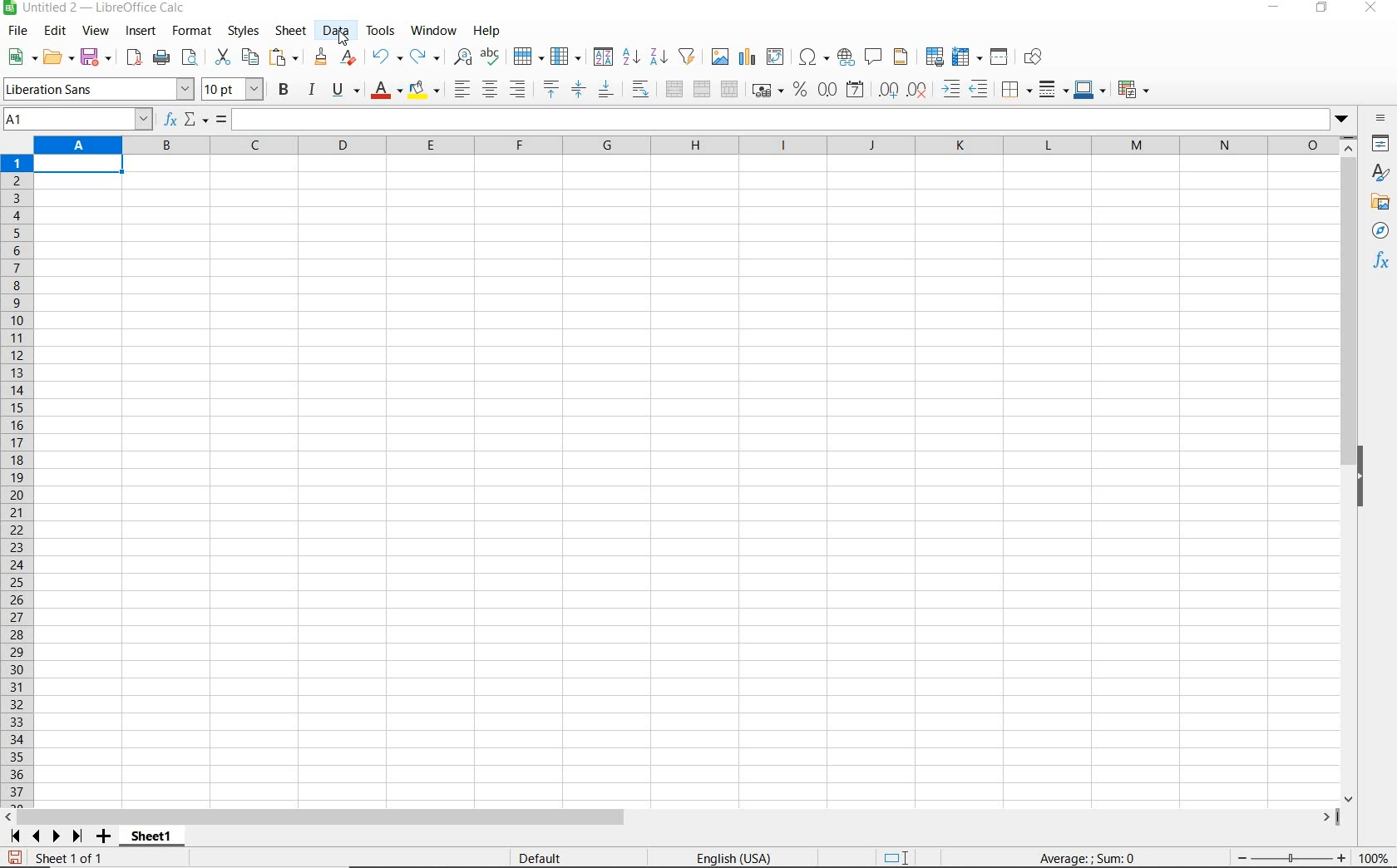  What do you see at coordinates (79, 166) in the screenshot?
I see `selected cell` at bounding box center [79, 166].